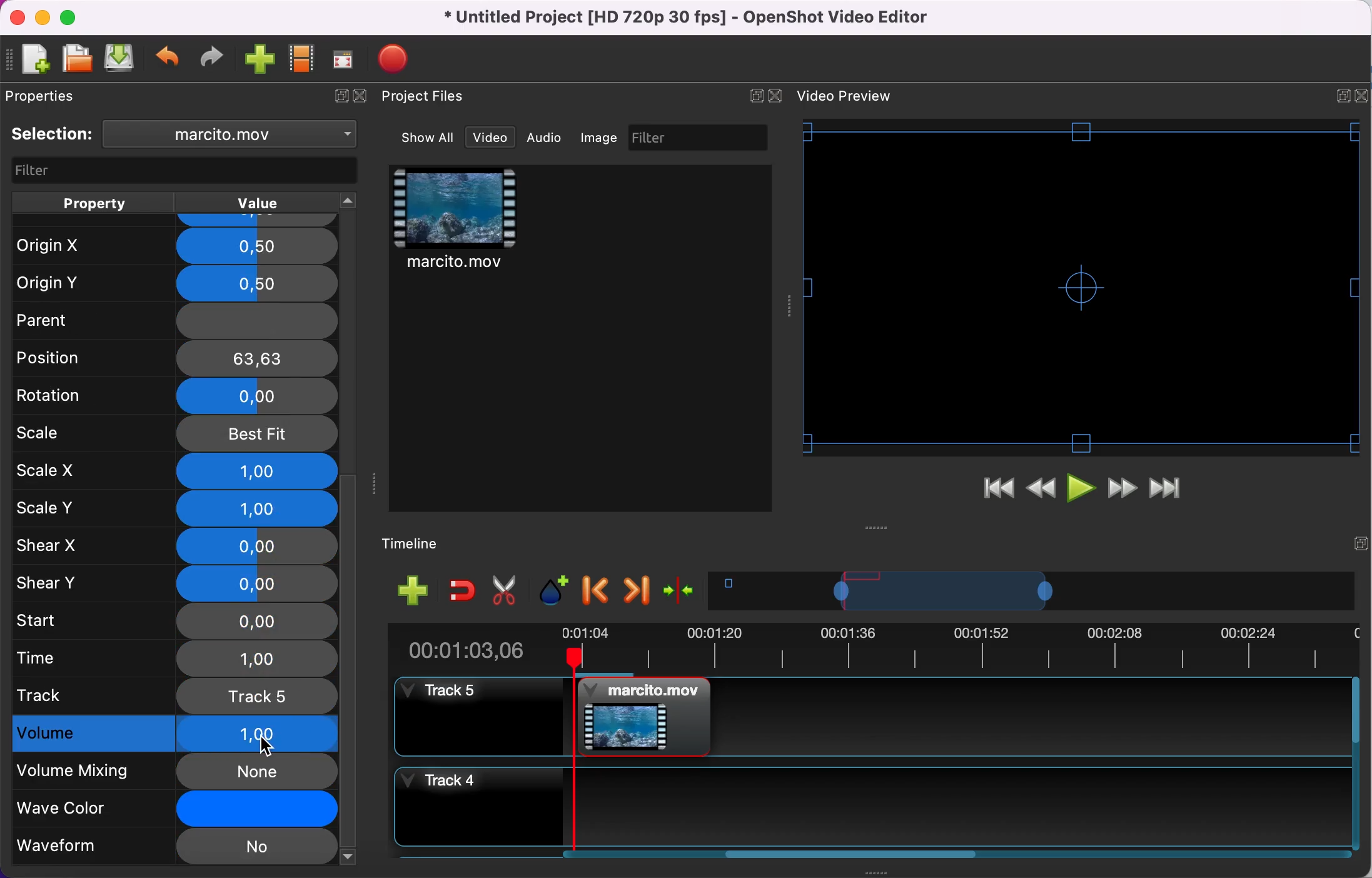 Image resolution: width=1372 pixels, height=878 pixels. I want to click on Horizontal slide bar, so click(852, 854).